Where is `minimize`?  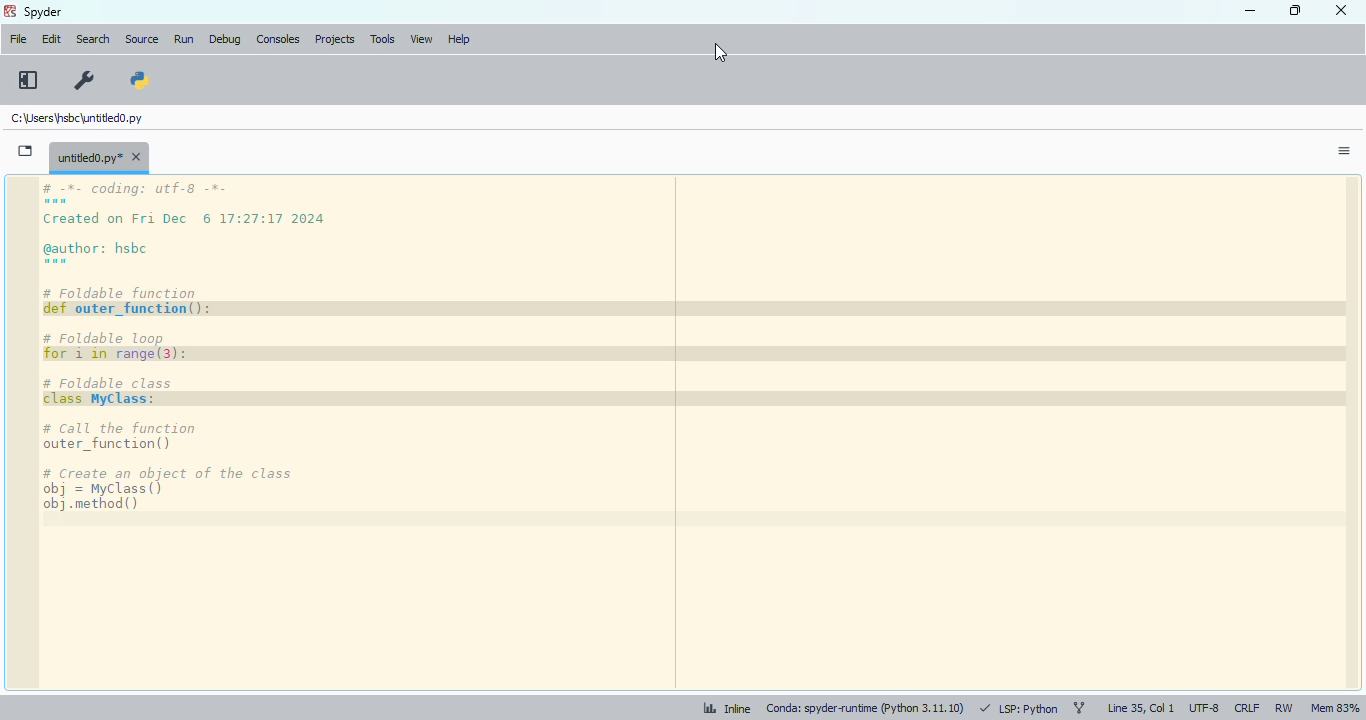
minimize is located at coordinates (1249, 11).